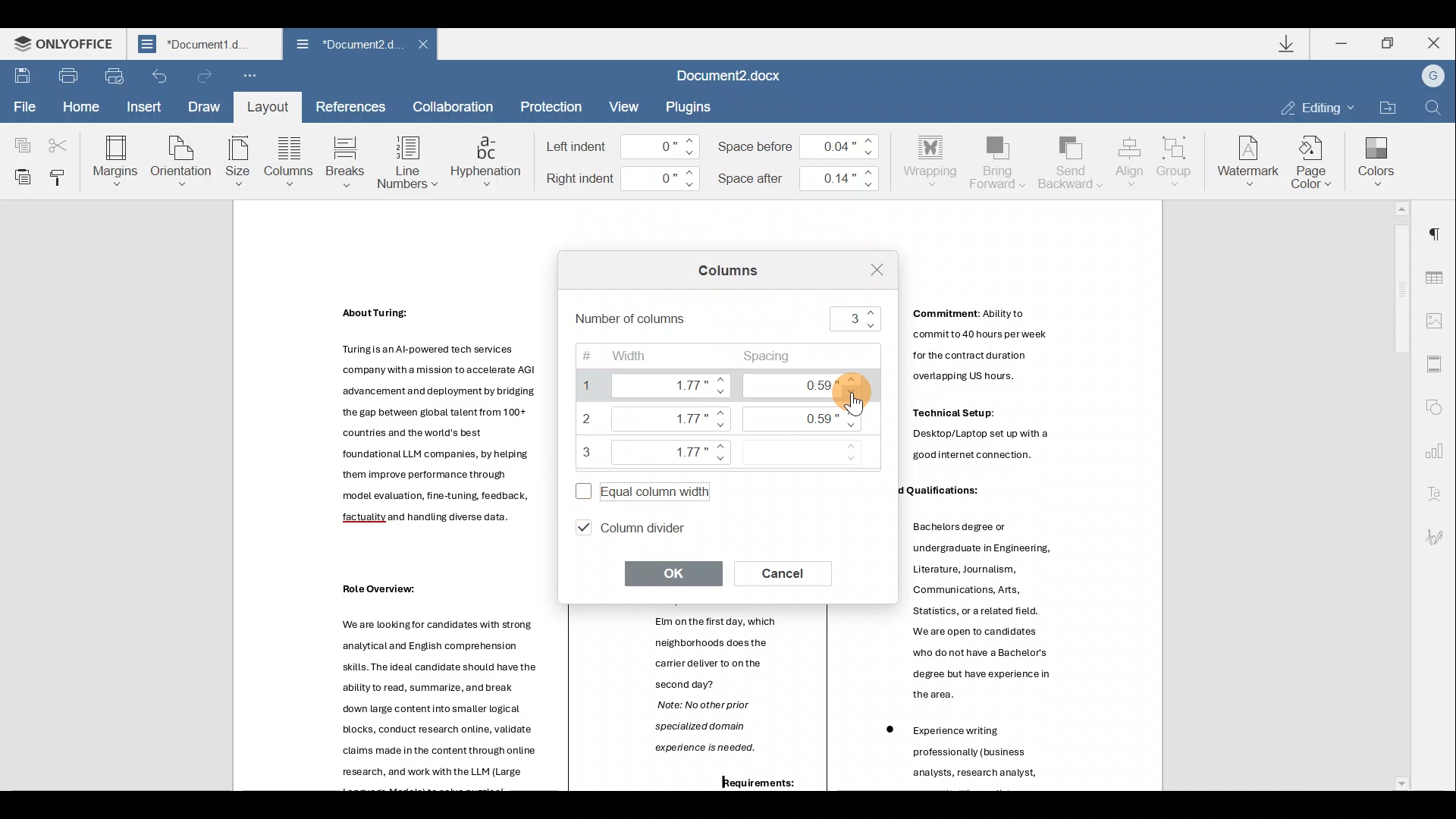 The height and width of the screenshot is (819, 1456). What do you see at coordinates (980, 755) in the screenshot?
I see `` at bounding box center [980, 755].